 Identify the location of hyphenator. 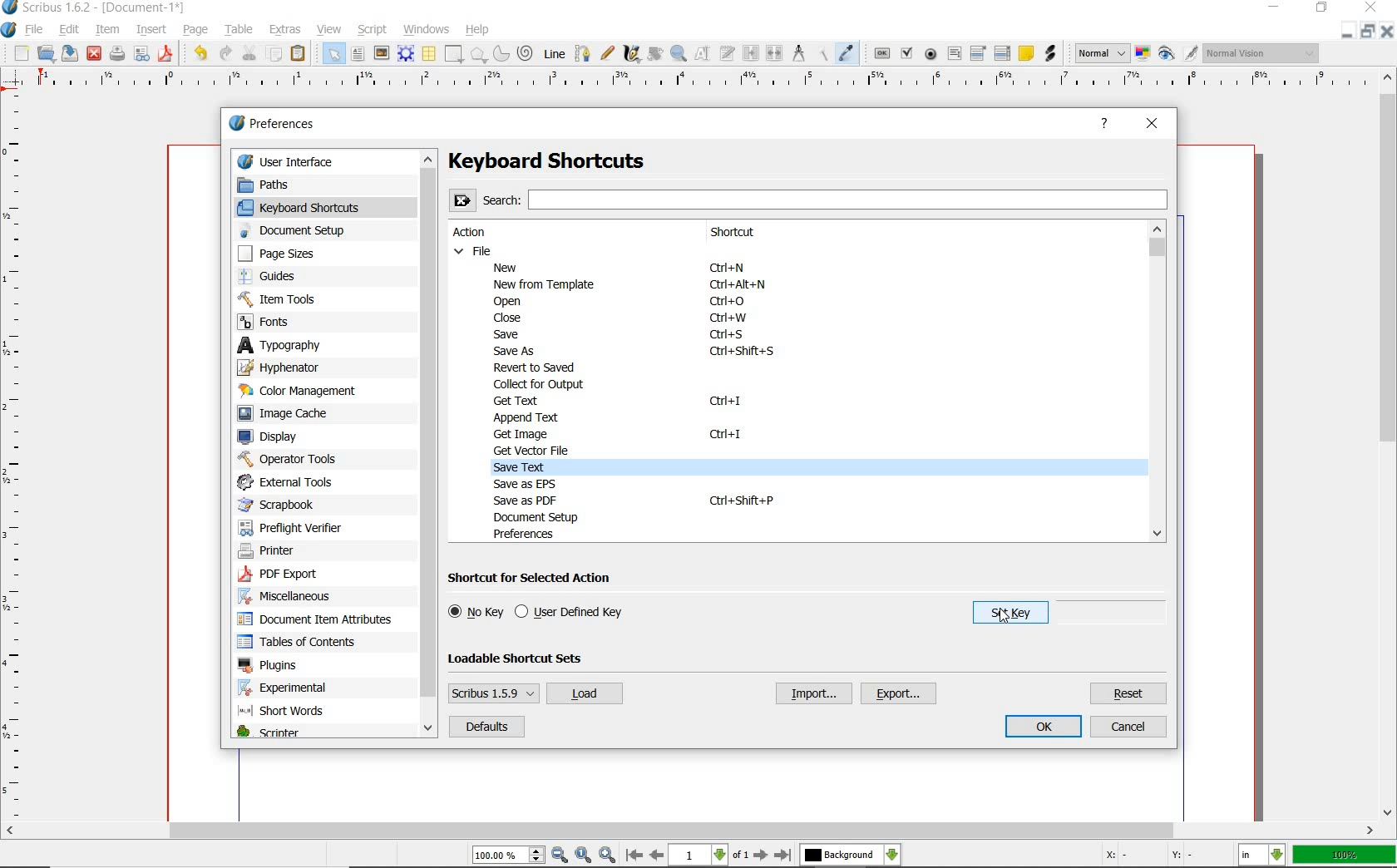
(292, 367).